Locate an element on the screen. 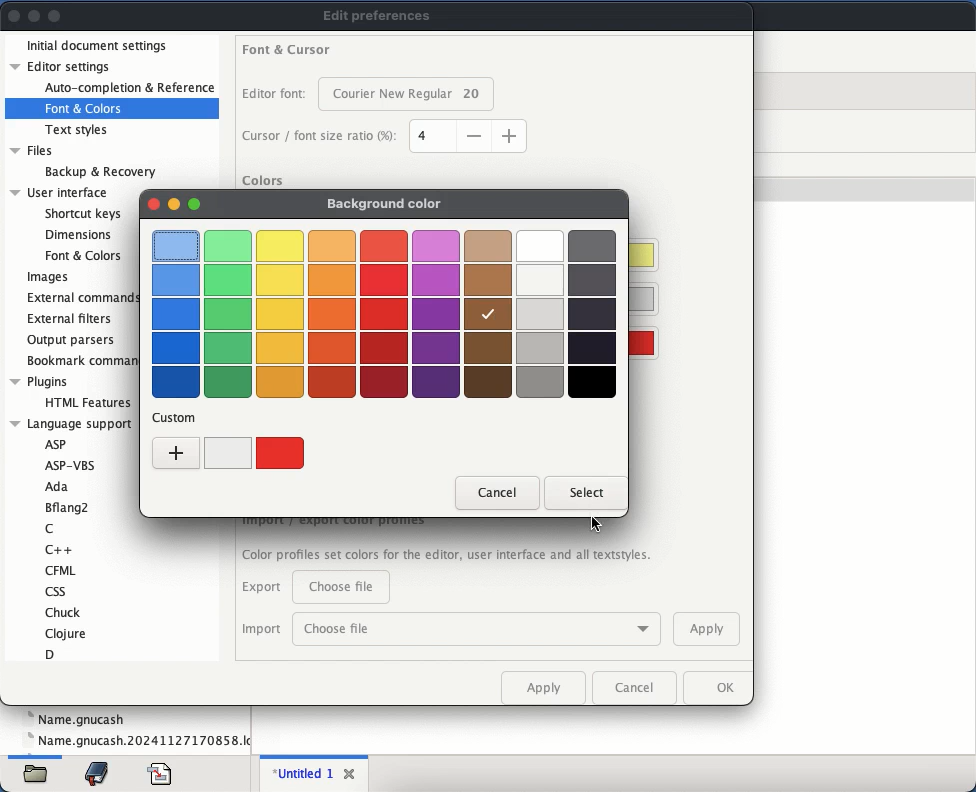  add is located at coordinates (177, 452).